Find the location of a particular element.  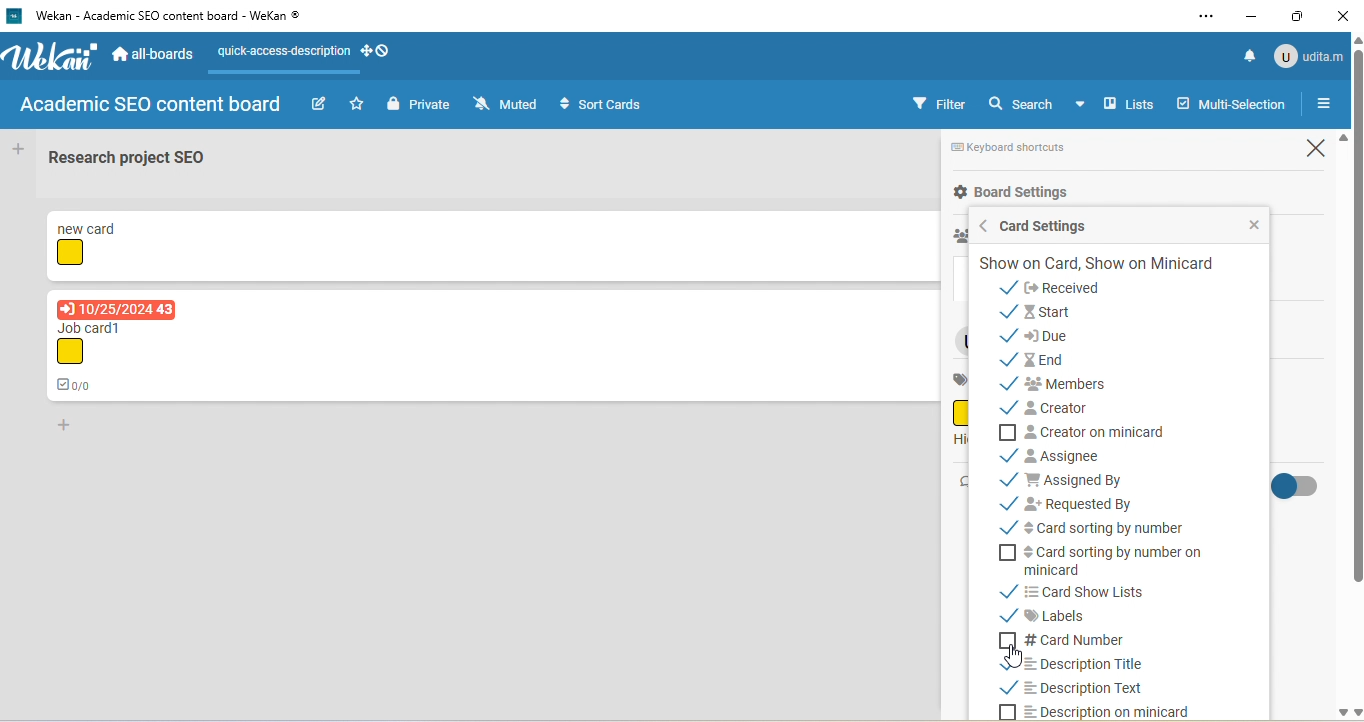

search is located at coordinates (1041, 106).